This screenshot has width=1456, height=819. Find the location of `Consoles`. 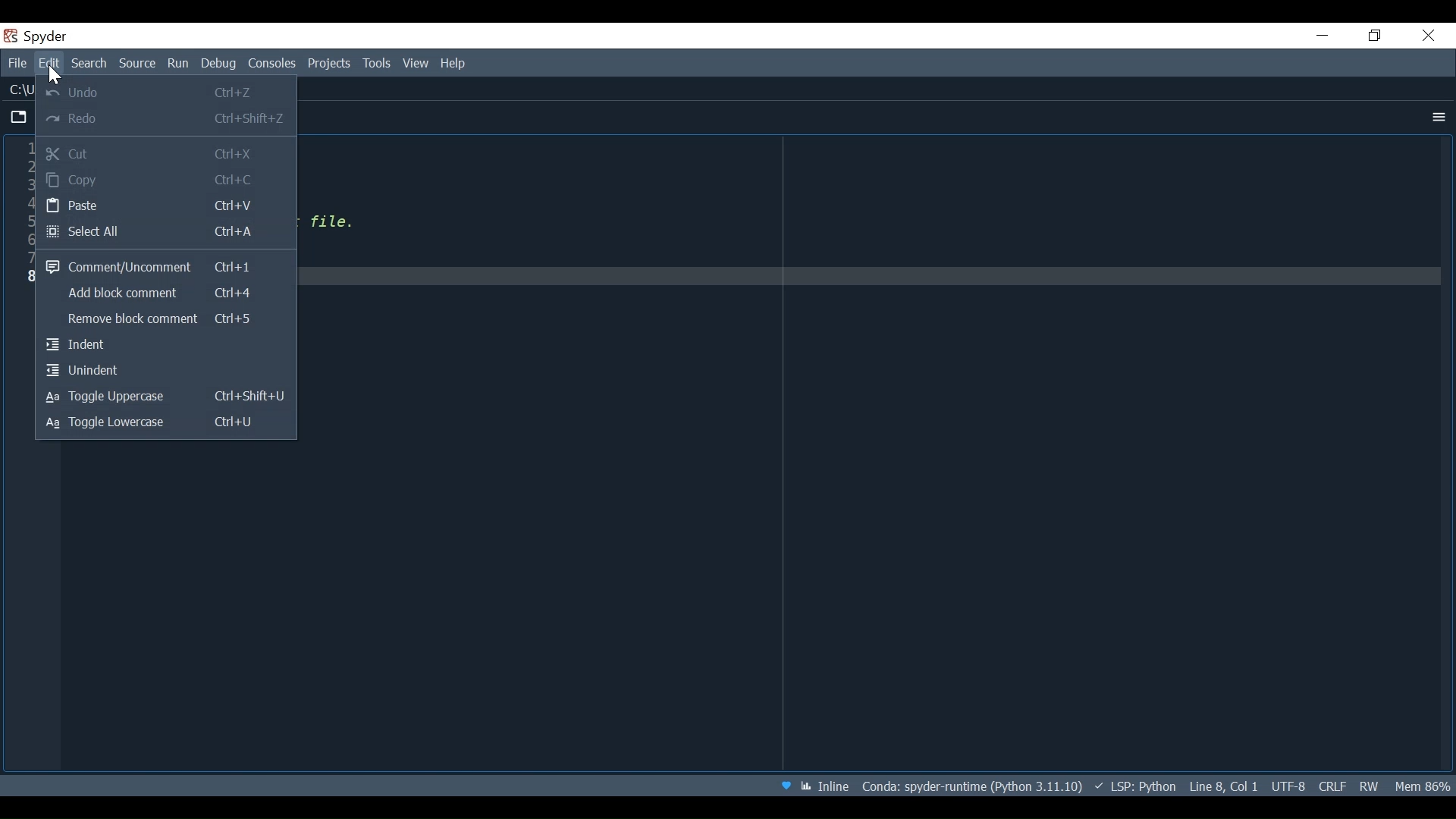

Consoles is located at coordinates (274, 65).